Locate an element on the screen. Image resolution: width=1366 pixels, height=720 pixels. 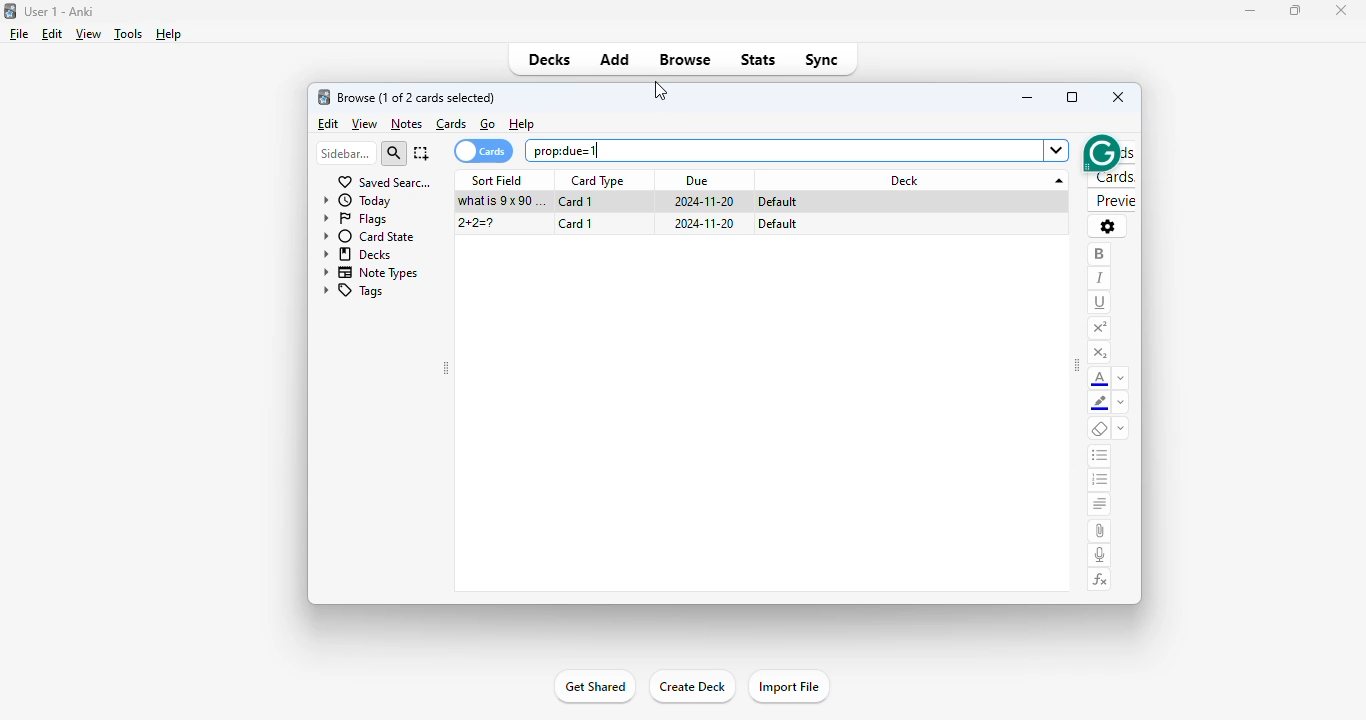
file is located at coordinates (20, 34).